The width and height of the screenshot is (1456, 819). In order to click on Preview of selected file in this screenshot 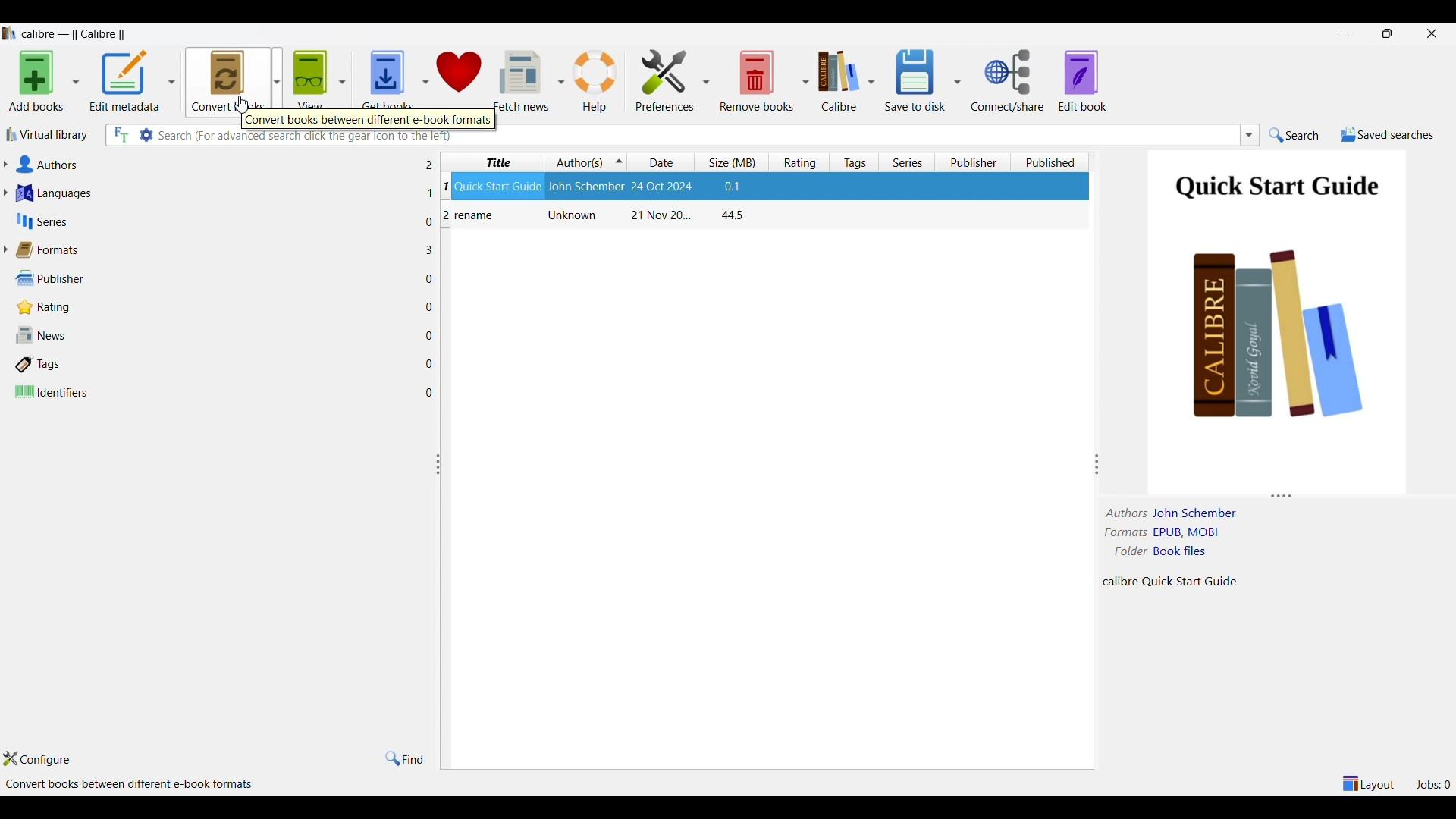, I will do `click(1276, 314)`.